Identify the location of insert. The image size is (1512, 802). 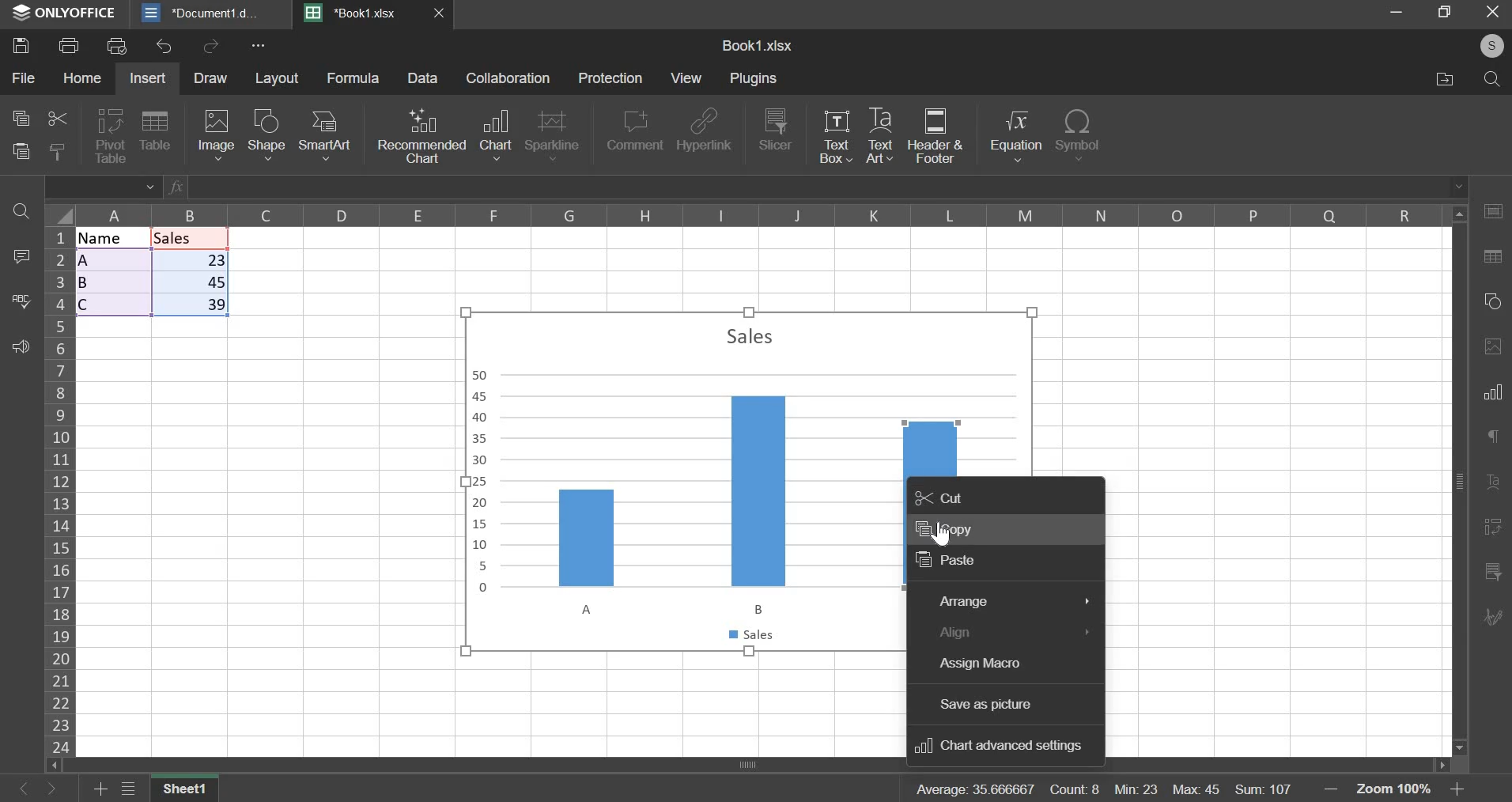
(149, 78).